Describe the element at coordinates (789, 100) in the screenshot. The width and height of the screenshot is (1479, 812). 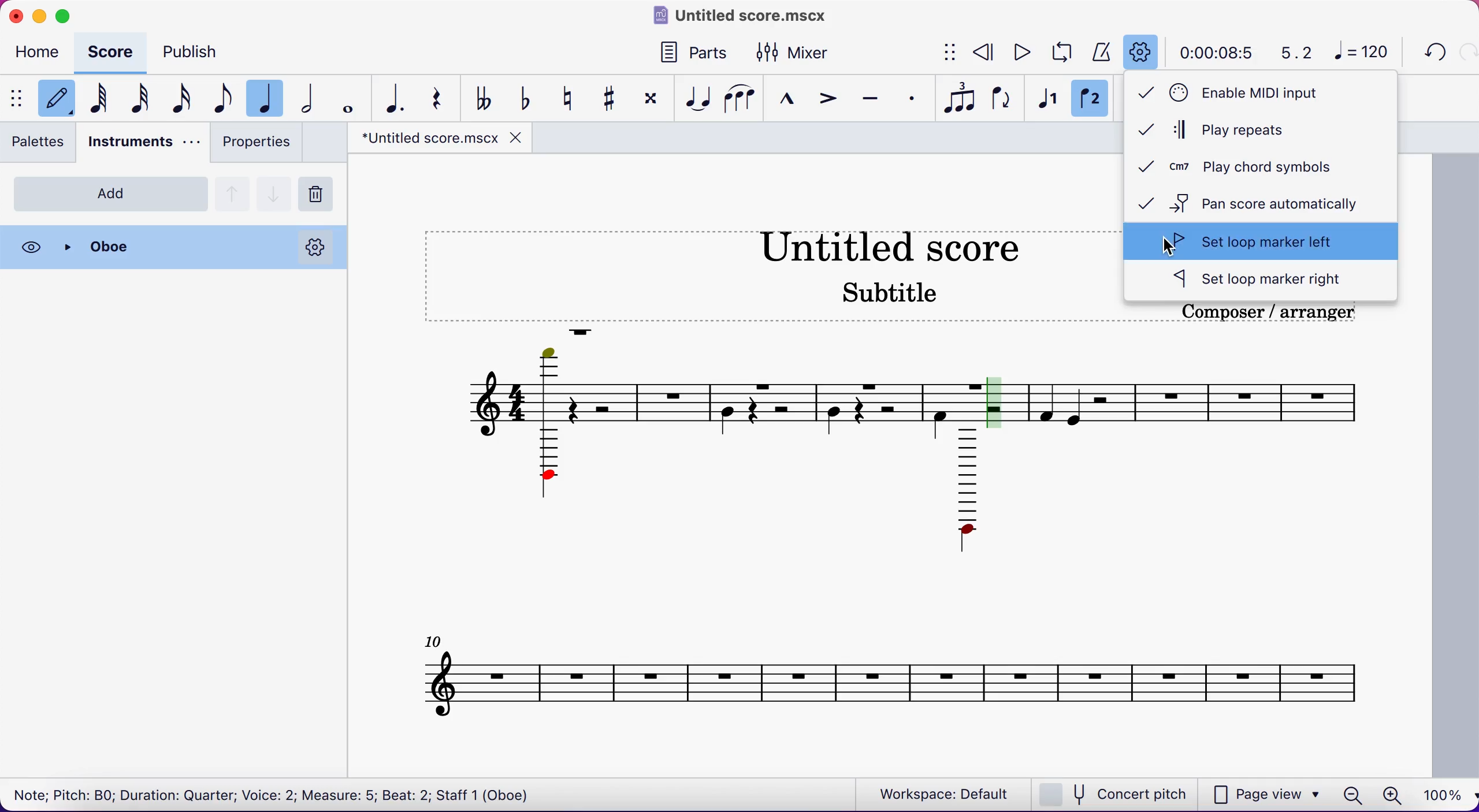
I see `marcato` at that location.